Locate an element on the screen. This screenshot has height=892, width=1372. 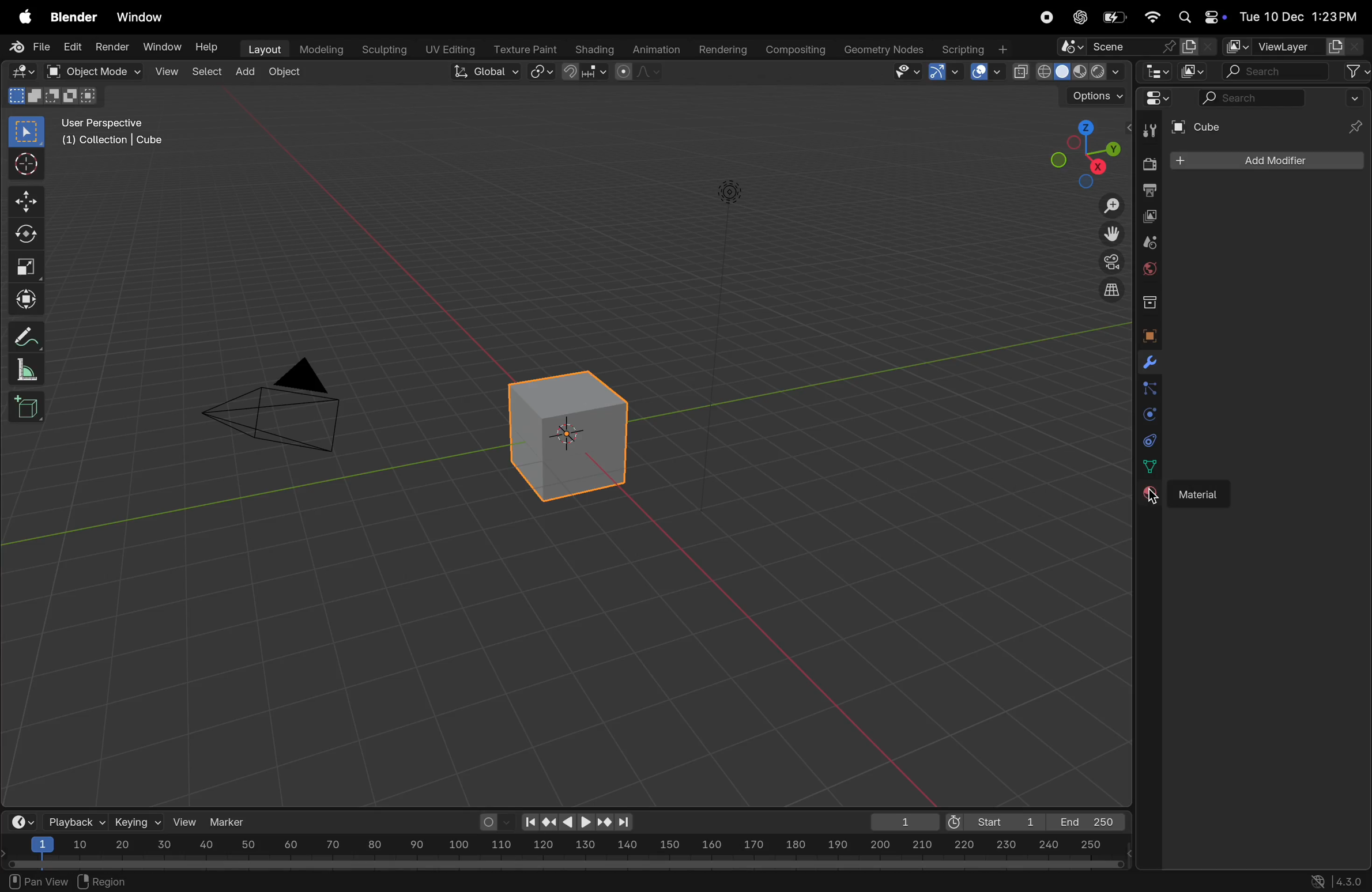
texture paint is located at coordinates (523, 46).